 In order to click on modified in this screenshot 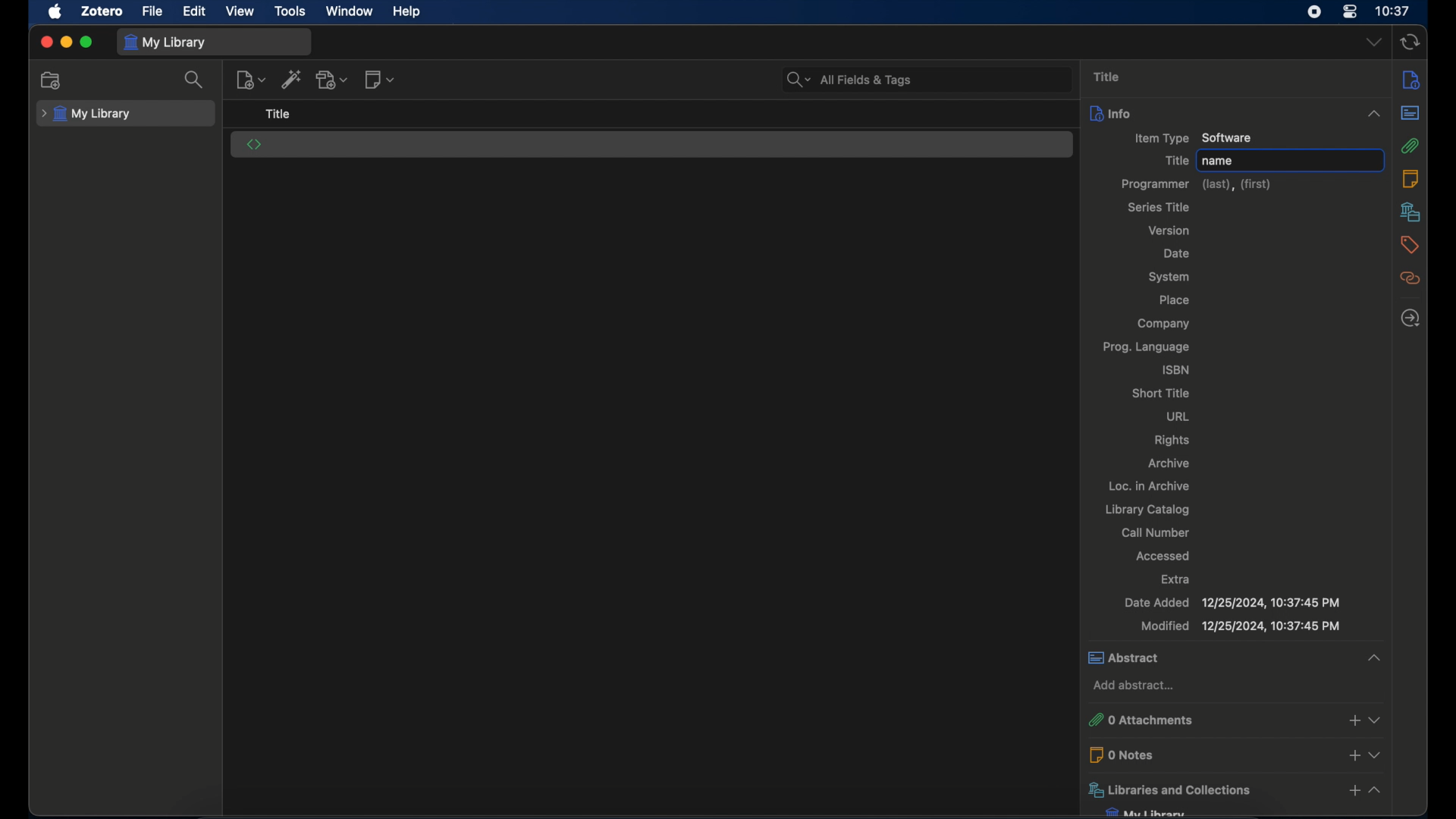, I will do `click(1241, 627)`.